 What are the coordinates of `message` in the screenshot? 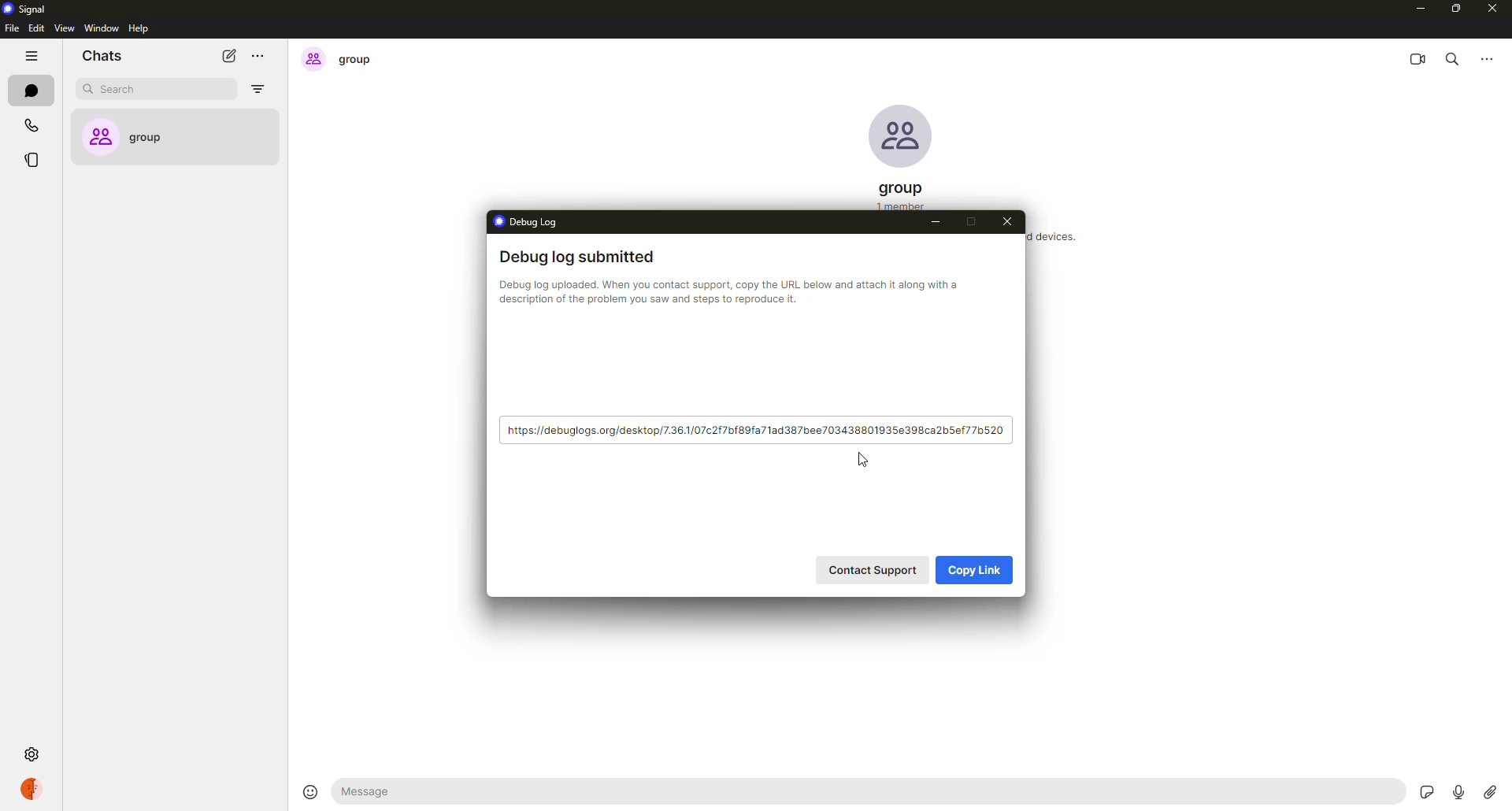 It's located at (432, 791).